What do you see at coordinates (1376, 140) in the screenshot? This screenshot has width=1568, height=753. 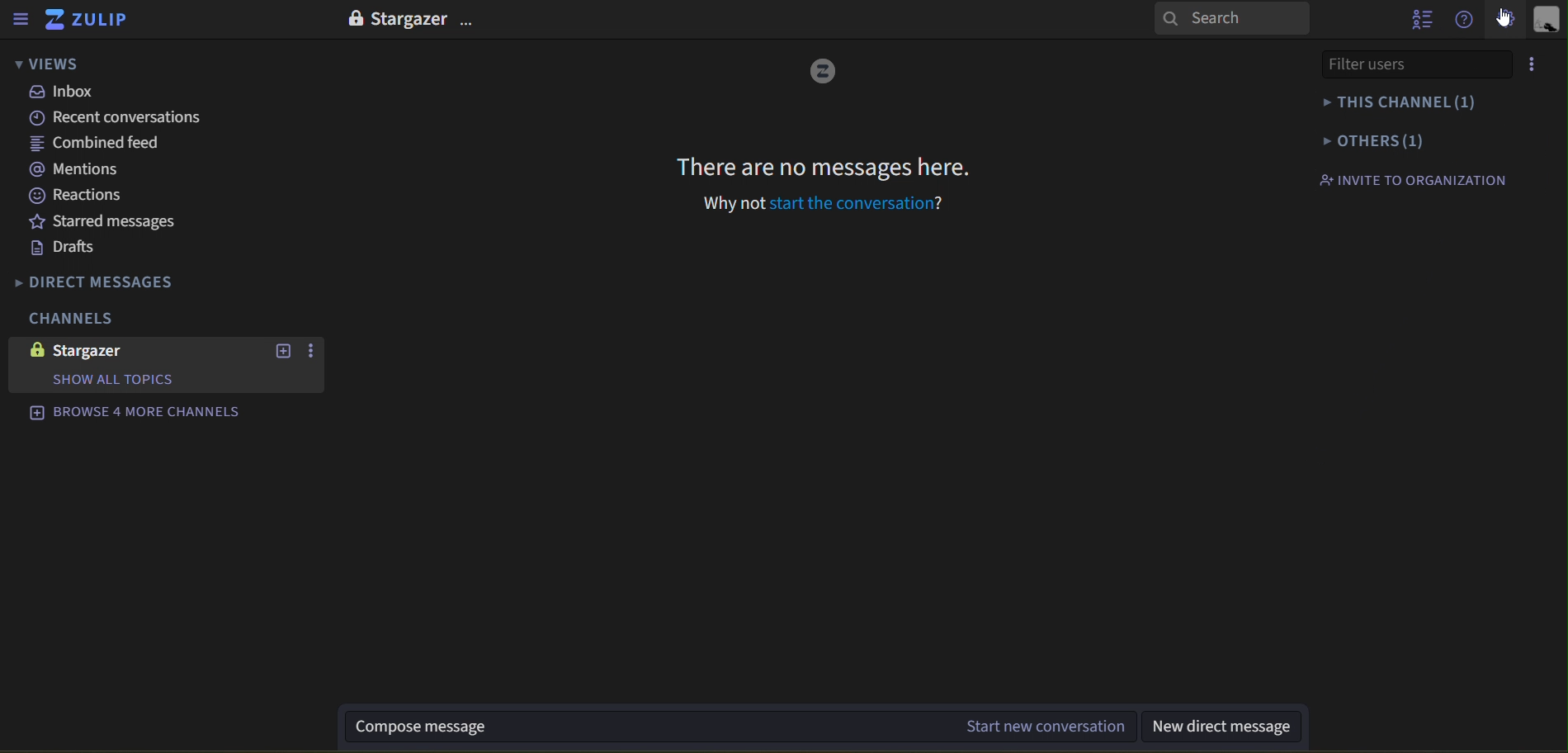 I see `others(1)` at bounding box center [1376, 140].